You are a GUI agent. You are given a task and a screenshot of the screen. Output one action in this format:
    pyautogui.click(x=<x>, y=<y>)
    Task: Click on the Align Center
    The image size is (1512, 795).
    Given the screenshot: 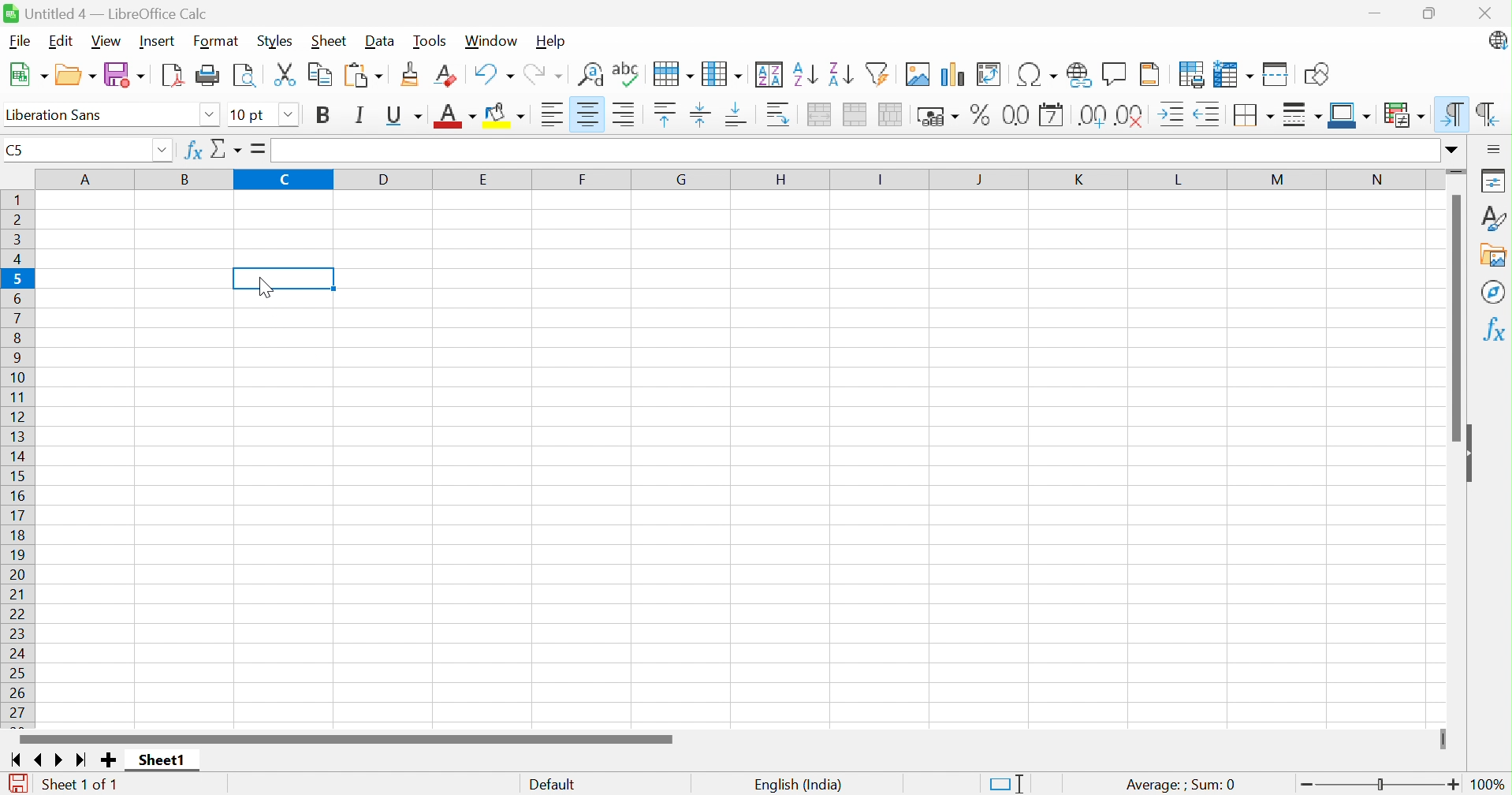 What is the action you would take?
    pyautogui.click(x=587, y=114)
    